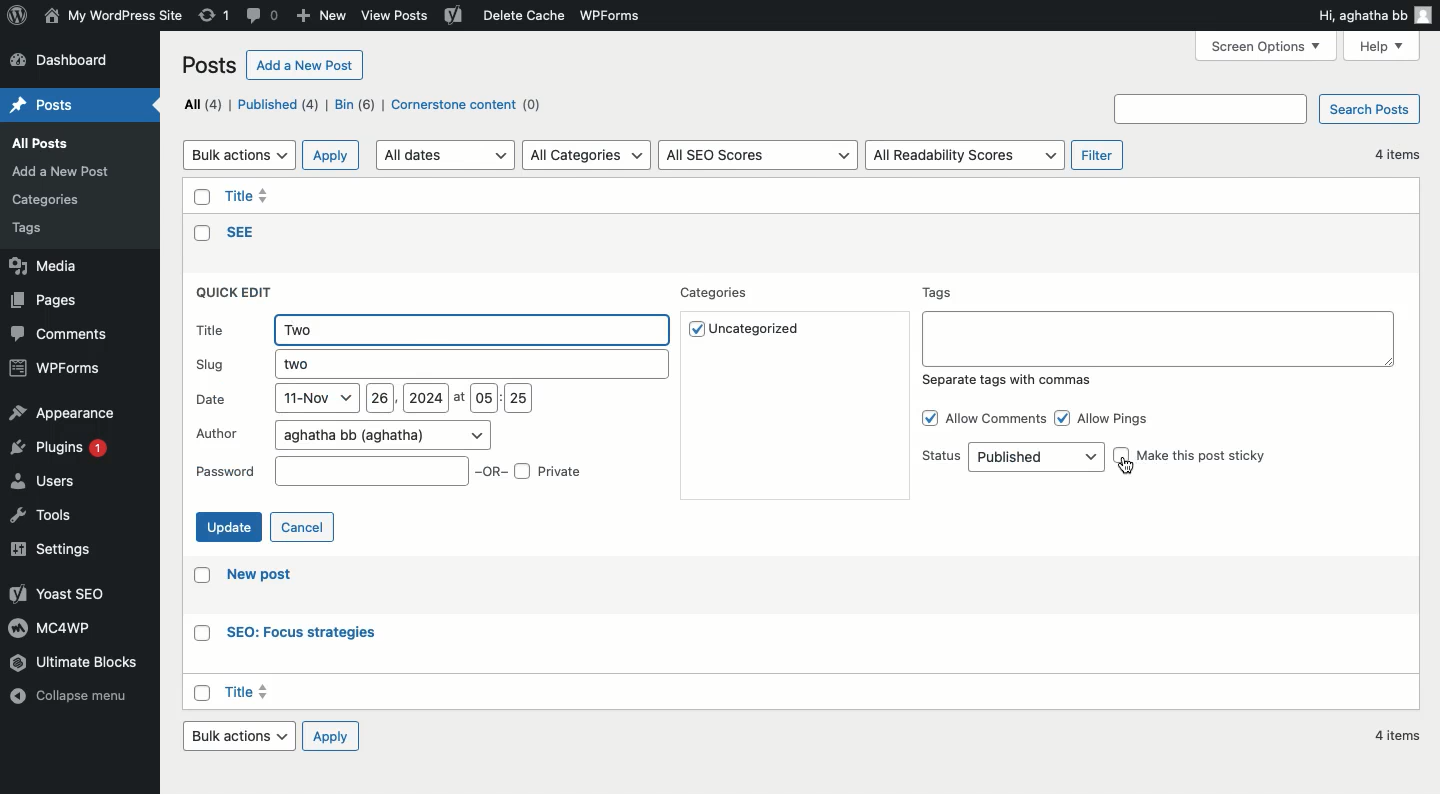  I want to click on 4items, so click(1397, 736).